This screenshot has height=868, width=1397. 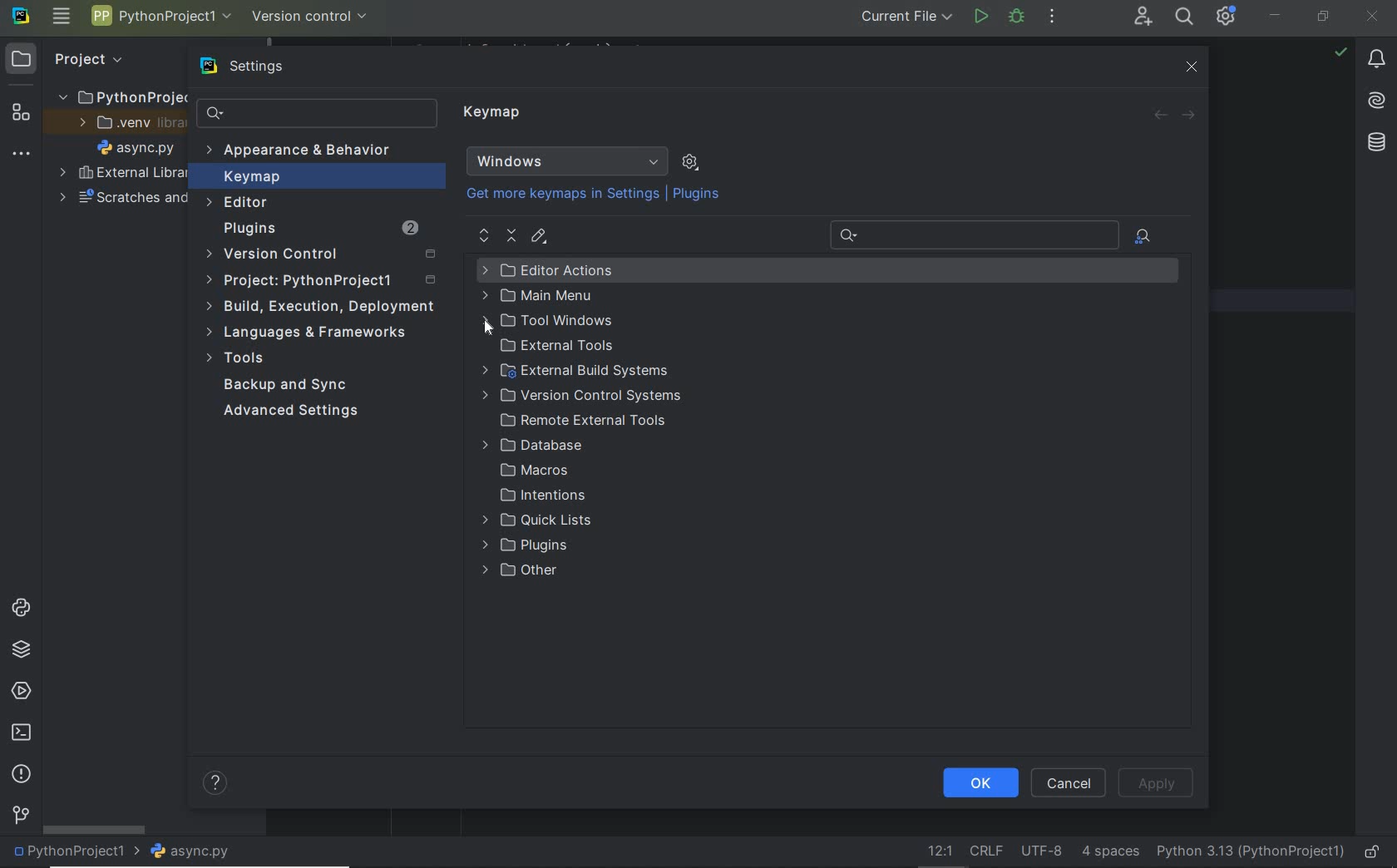 What do you see at coordinates (217, 785) in the screenshot?
I see `help` at bounding box center [217, 785].